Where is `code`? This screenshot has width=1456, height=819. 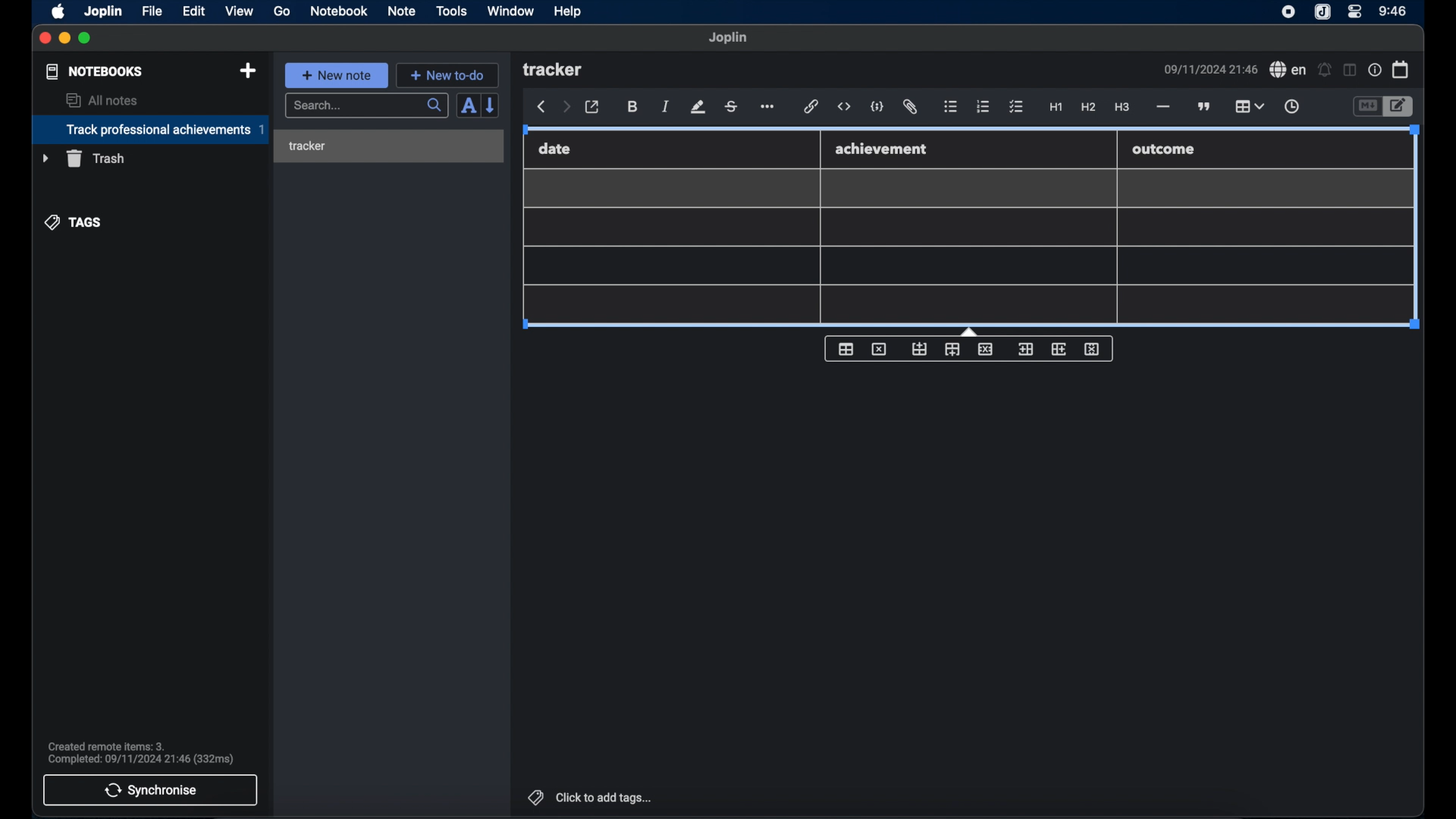 code is located at coordinates (878, 106).